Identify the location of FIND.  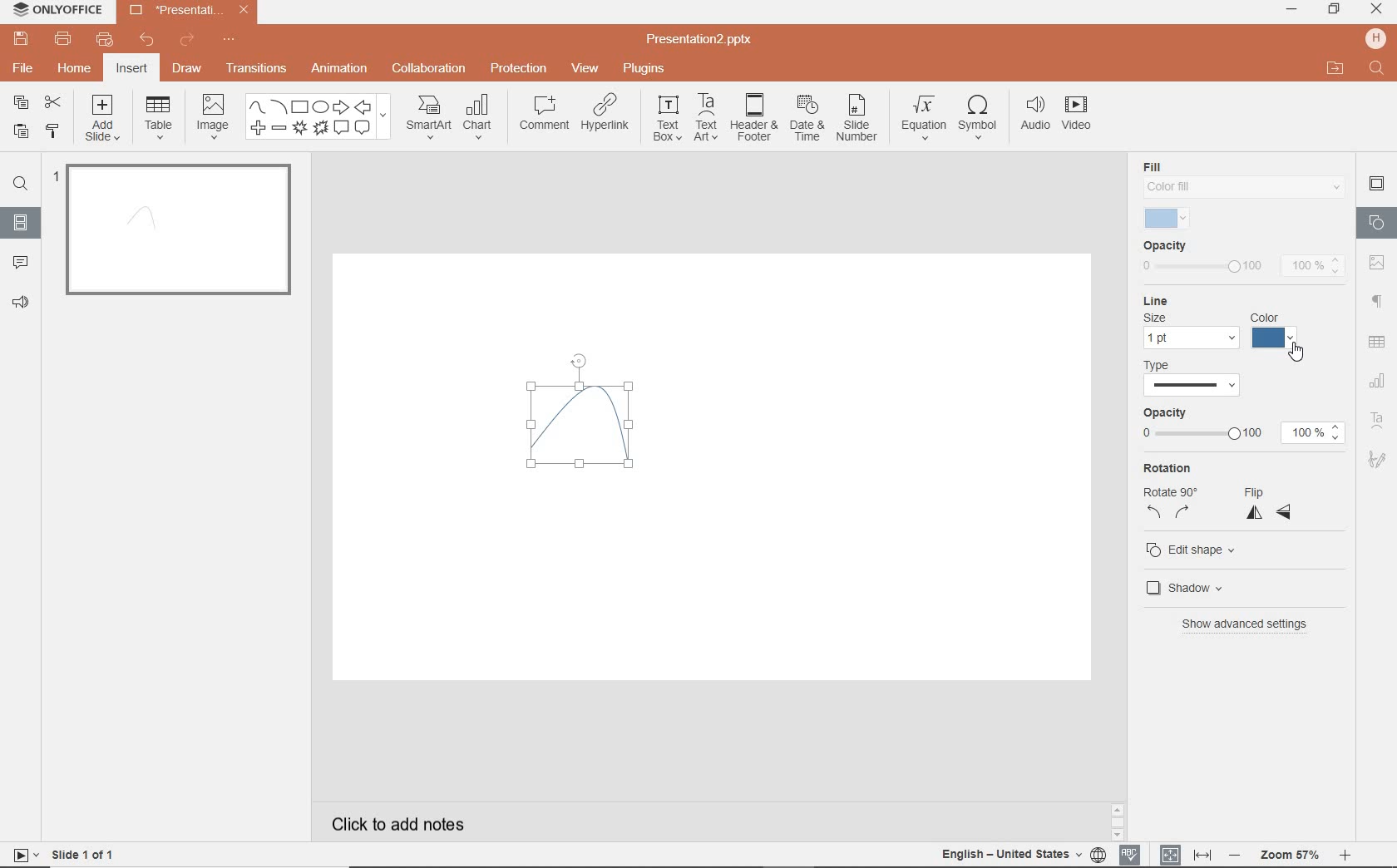
(23, 184).